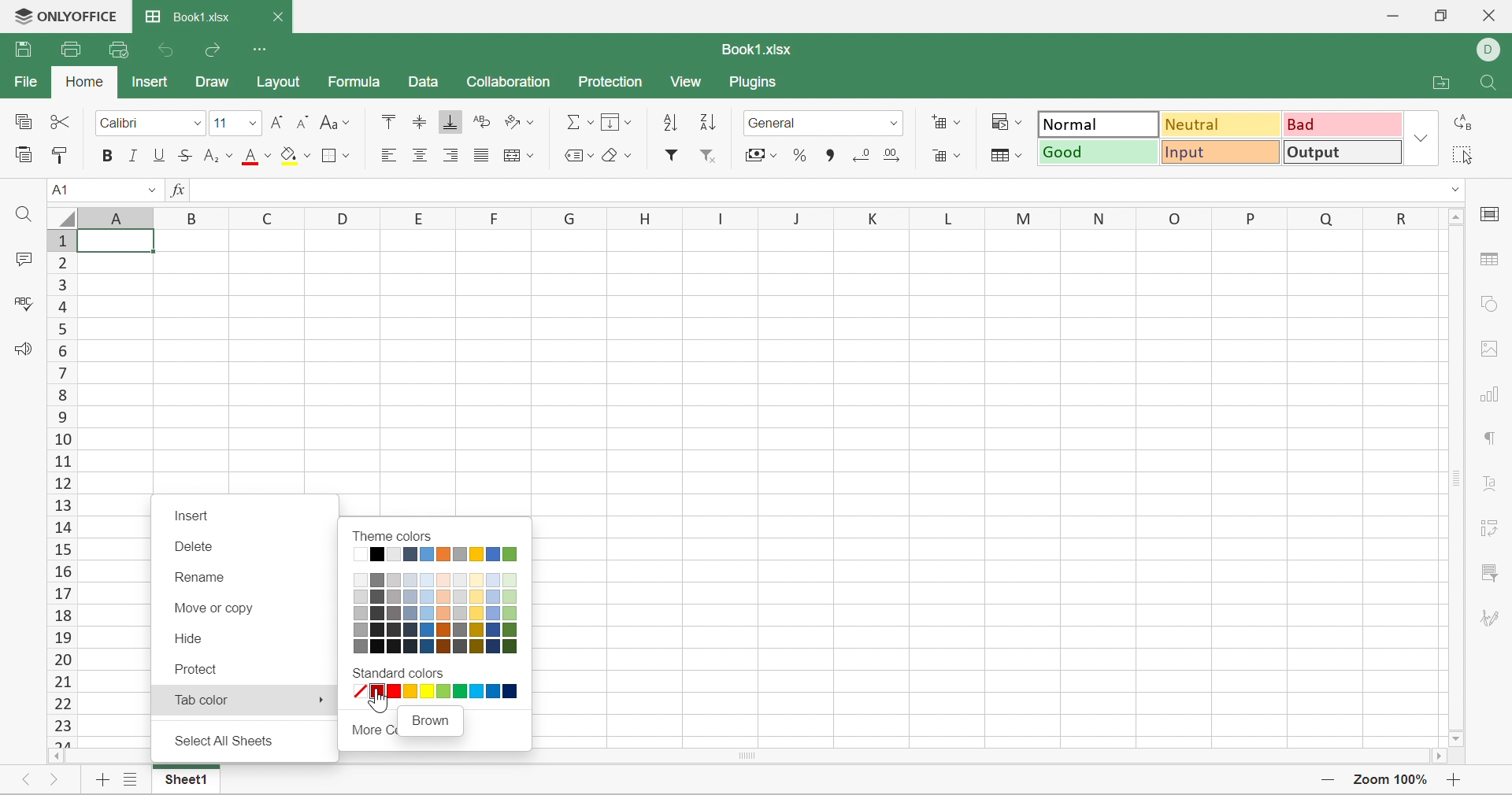  What do you see at coordinates (1491, 216) in the screenshot?
I see `Cell settings` at bounding box center [1491, 216].